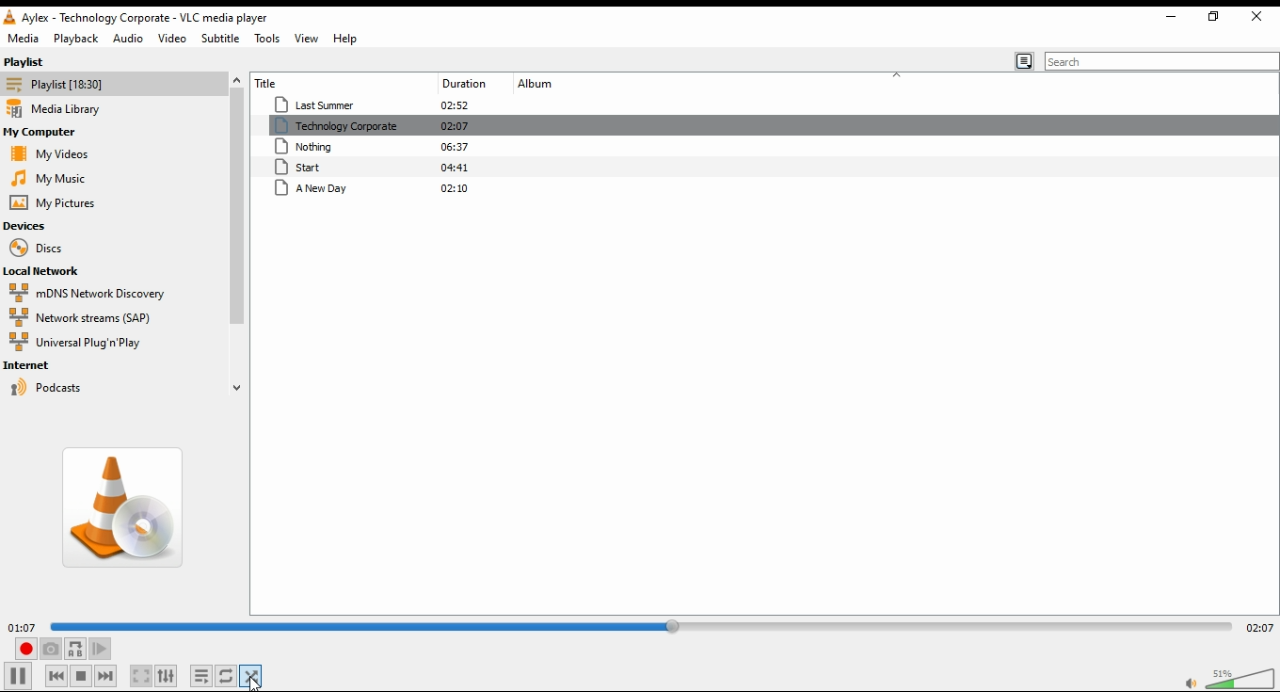 This screenshot has width=1280, height=692. Describe the element at coordinates (383, 191) in the screenshot. I see `A new day` at that location.